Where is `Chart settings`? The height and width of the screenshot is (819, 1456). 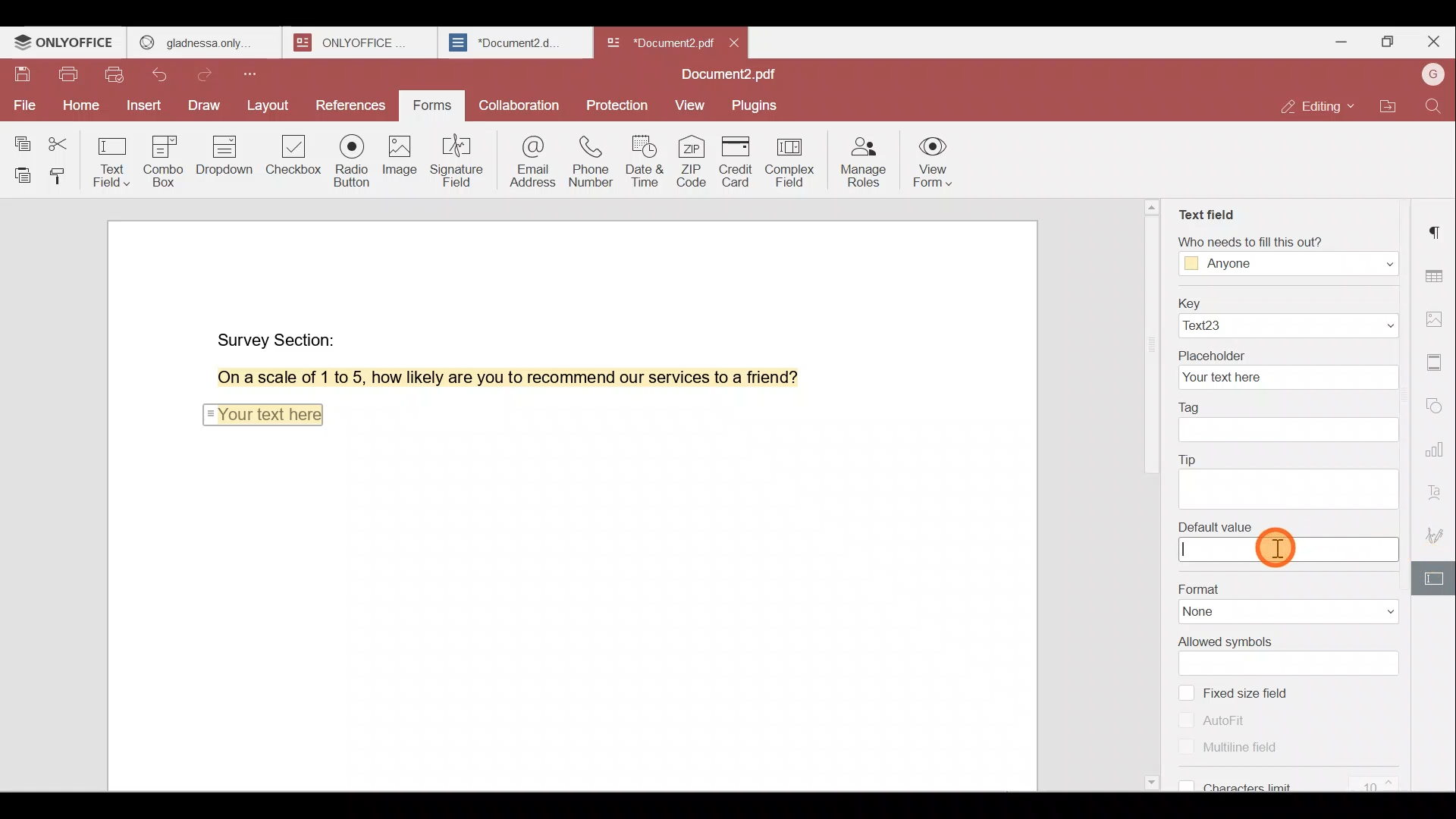 Chart settings is located at coordinates (1439, 441).